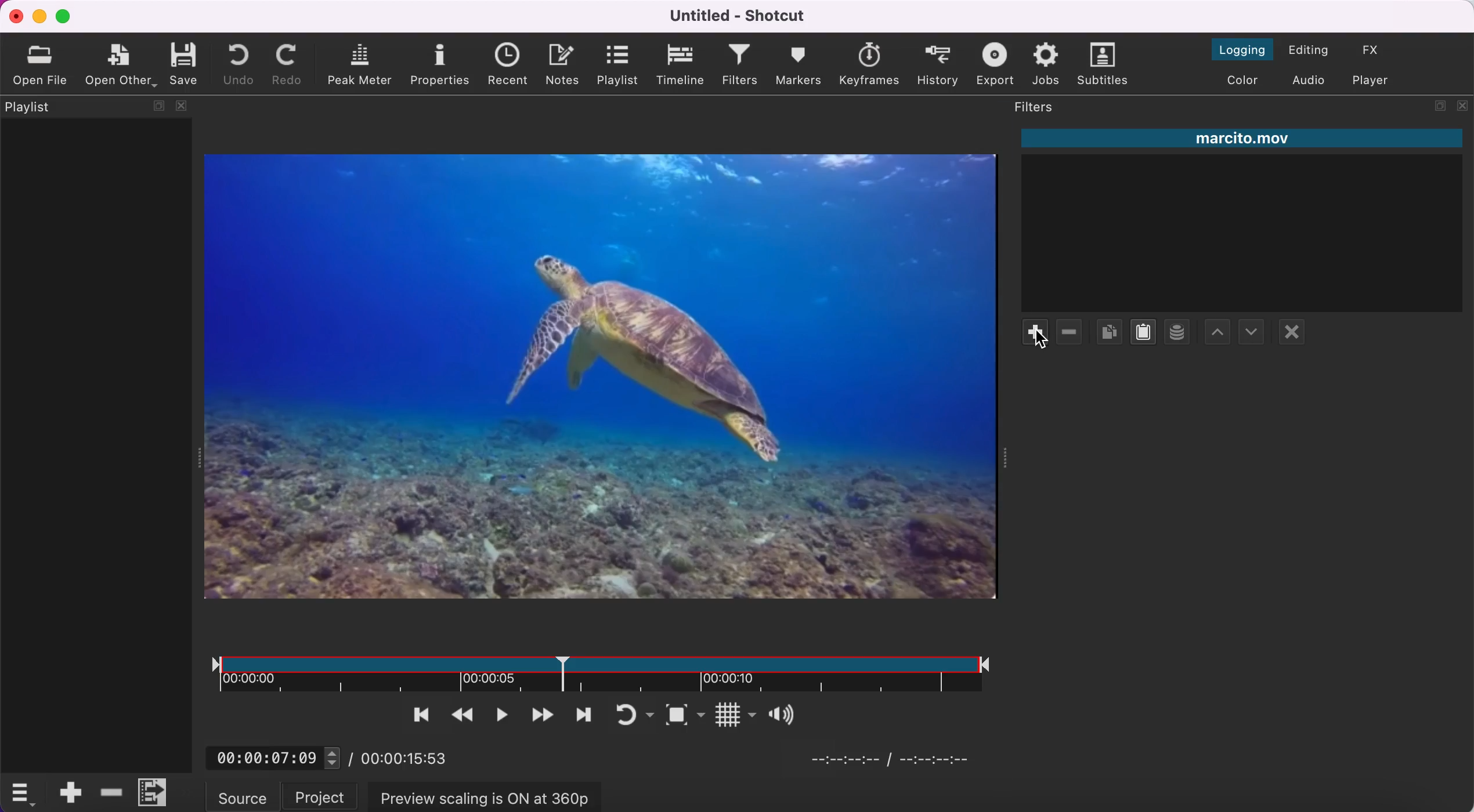 This screenshot has width=1474, height=812. I want to click on preview scaling is on at 360p, so click(482, 797).